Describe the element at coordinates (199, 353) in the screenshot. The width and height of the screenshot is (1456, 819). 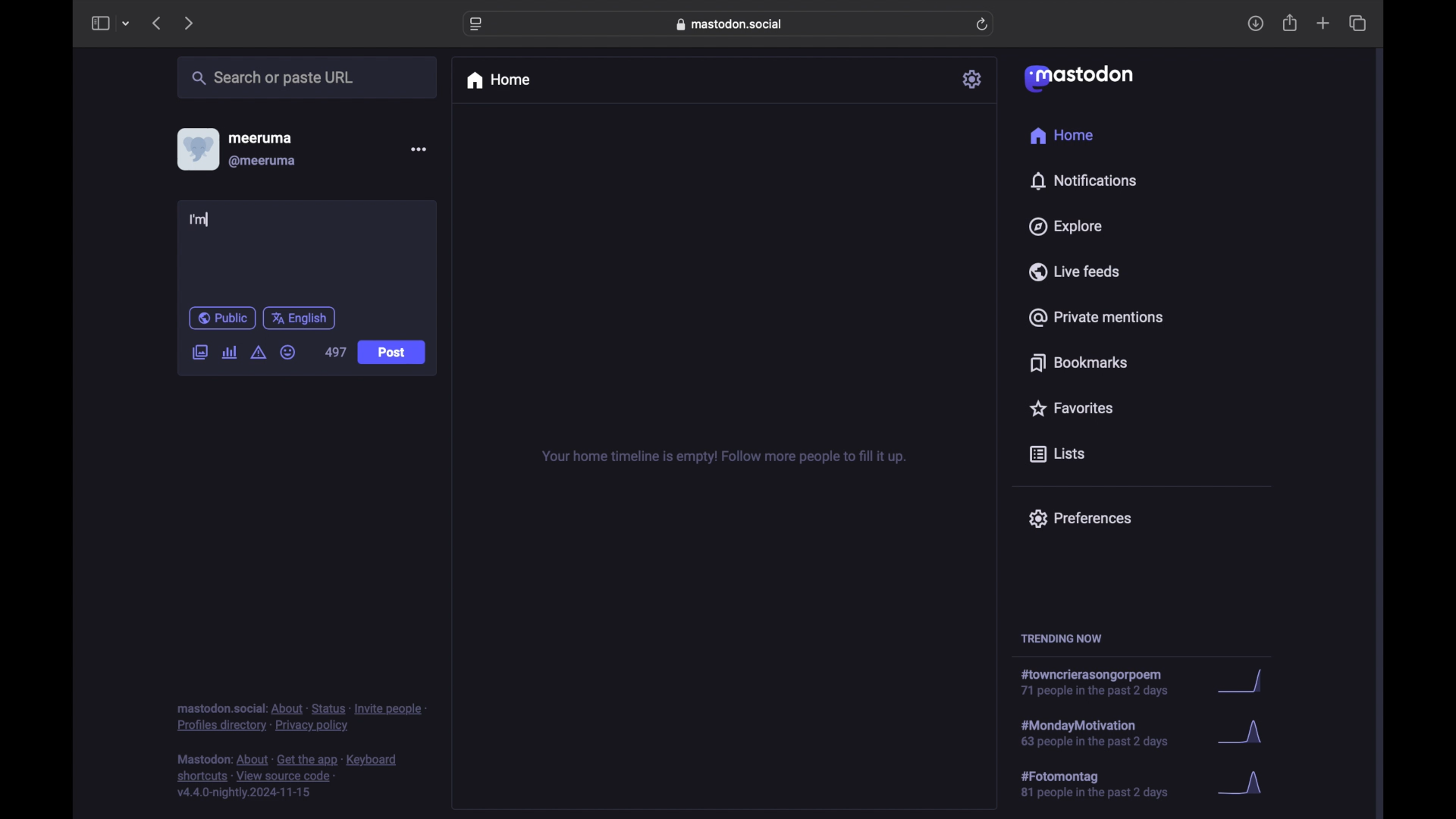
I see `add image` at that location.